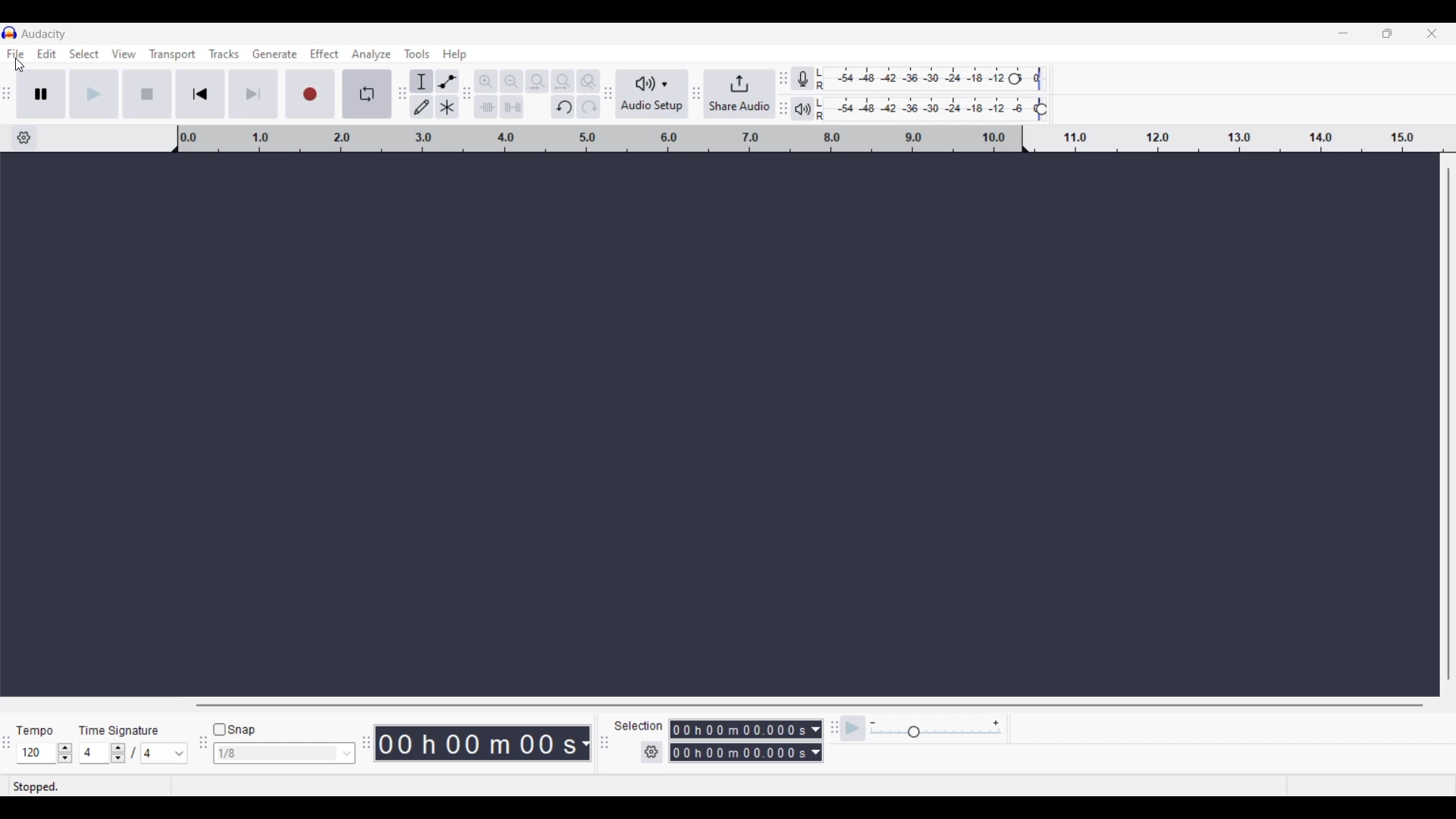 The height and width of the screenshot is (819, 1456). Describe the element at coordinates (347, 753) in the screenshot. I see `Snap options` at that location.